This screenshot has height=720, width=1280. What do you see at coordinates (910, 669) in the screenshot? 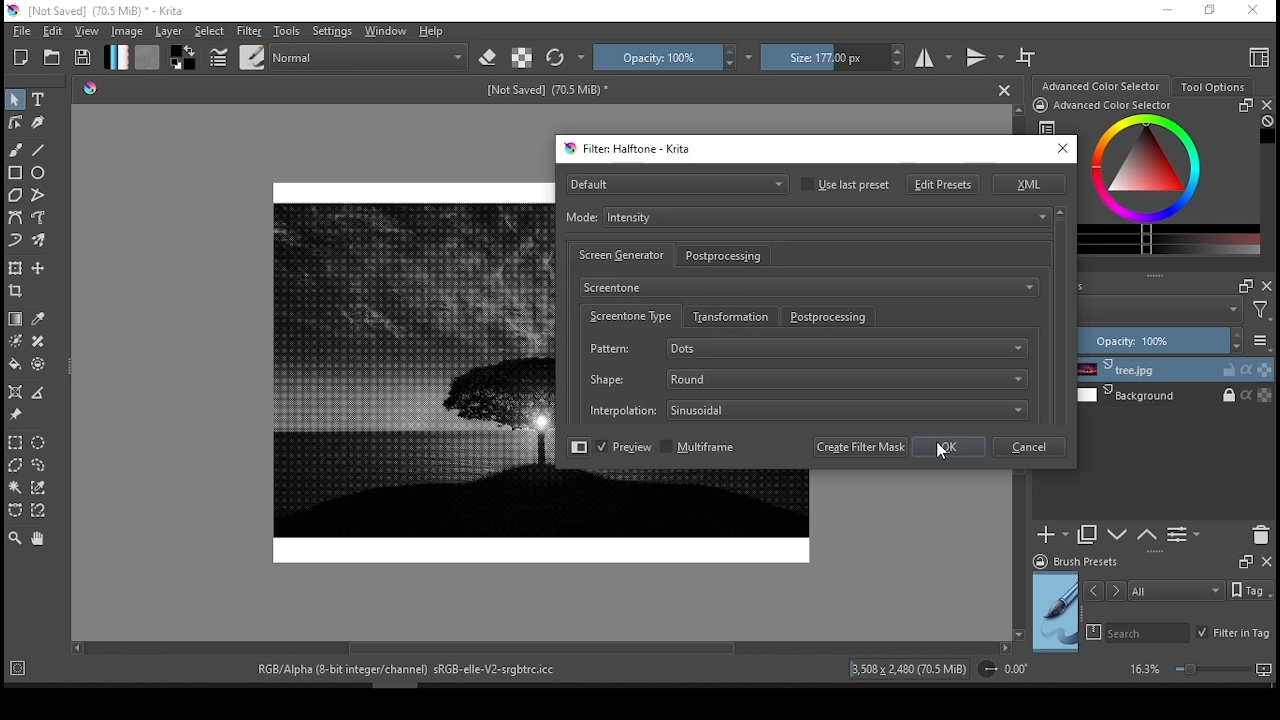
I see `image details` at bounding box center [910, 669].